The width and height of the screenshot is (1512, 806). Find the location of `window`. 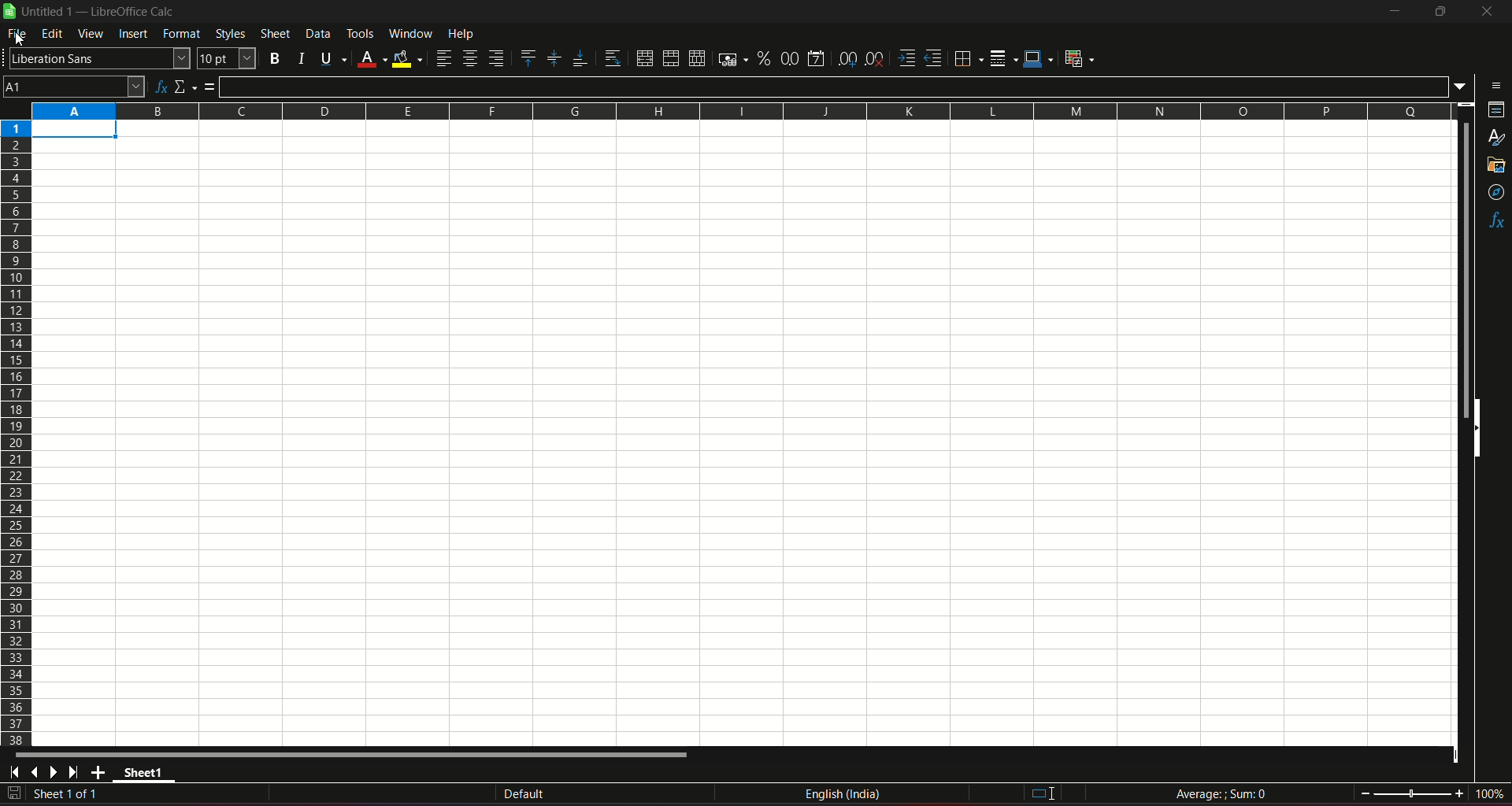

window is located at coordinates (410, 34).